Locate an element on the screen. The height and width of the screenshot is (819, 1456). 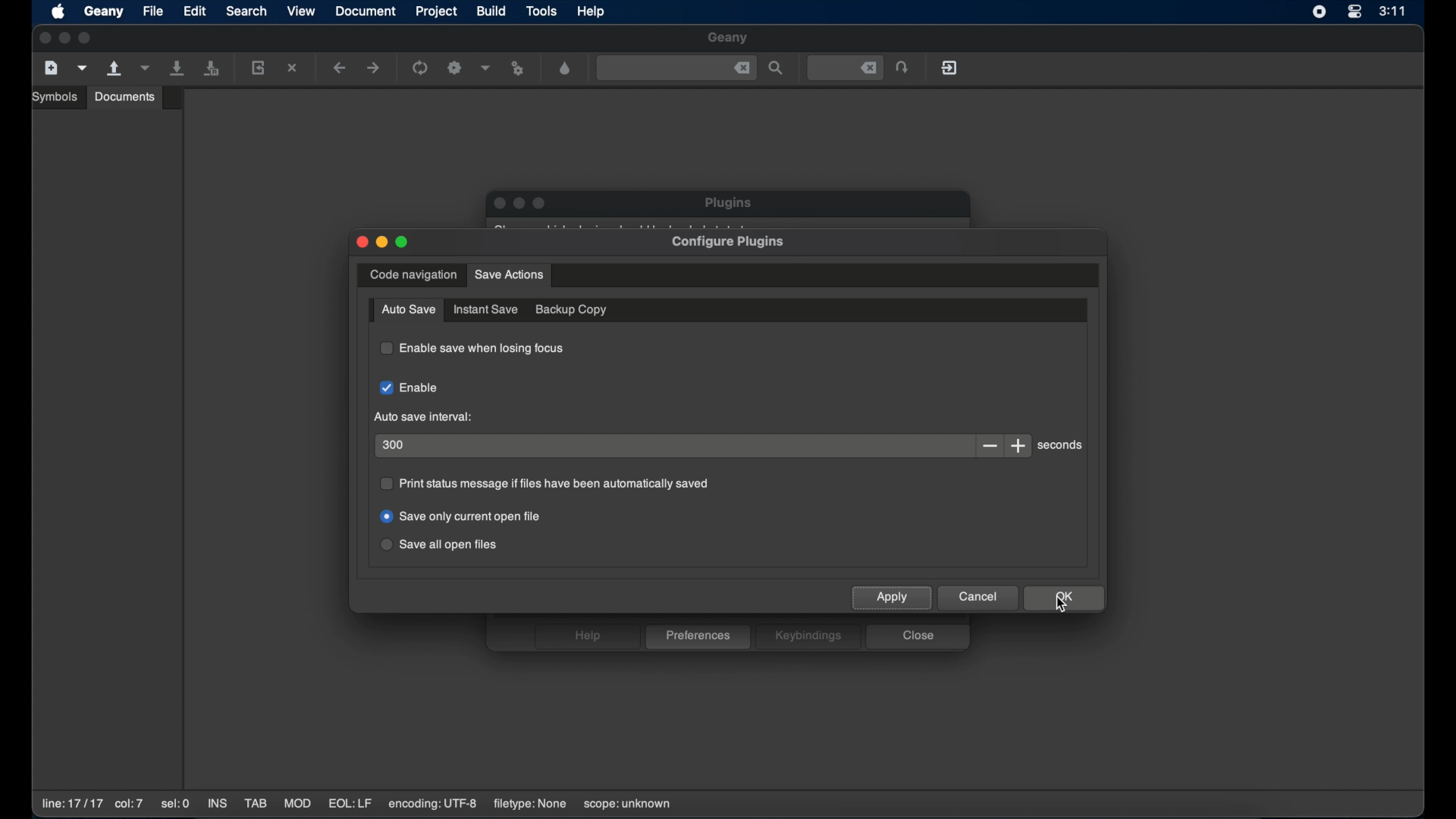
open a recent file is located at coordinates (145, 68).